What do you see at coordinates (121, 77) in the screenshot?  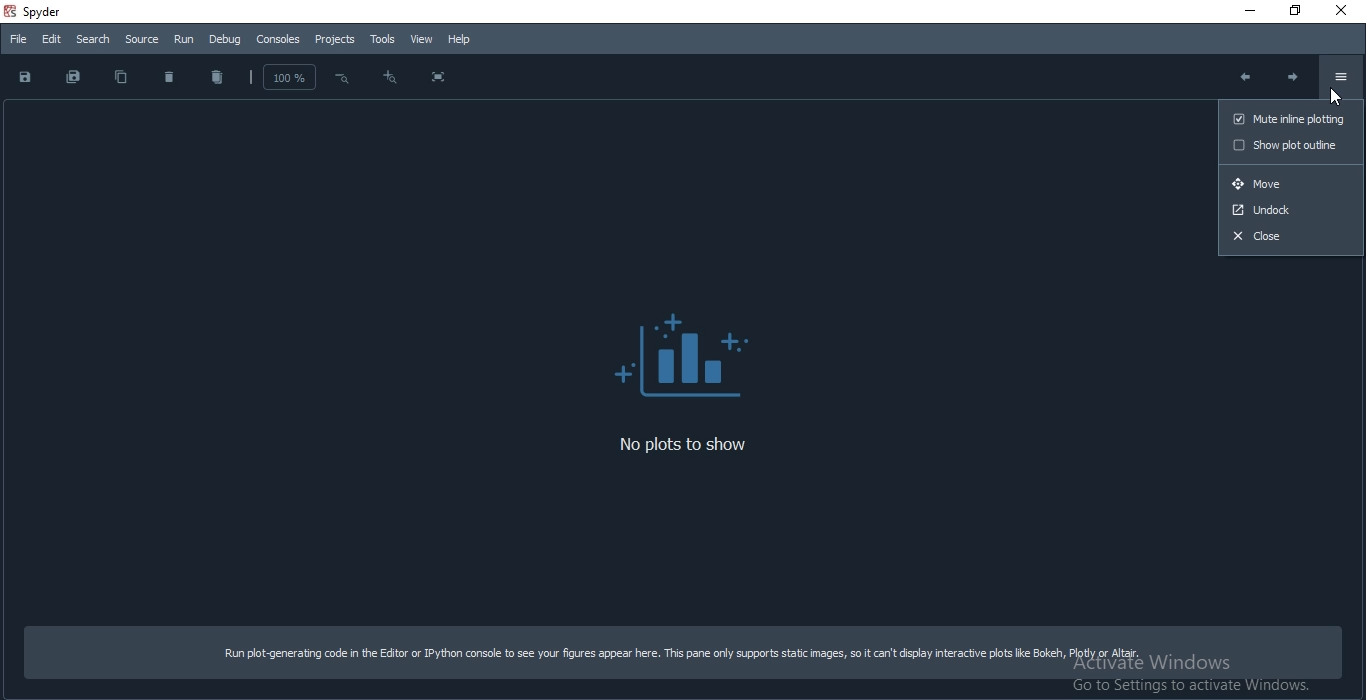 I see `Copy` at bounding box center [121, 77].